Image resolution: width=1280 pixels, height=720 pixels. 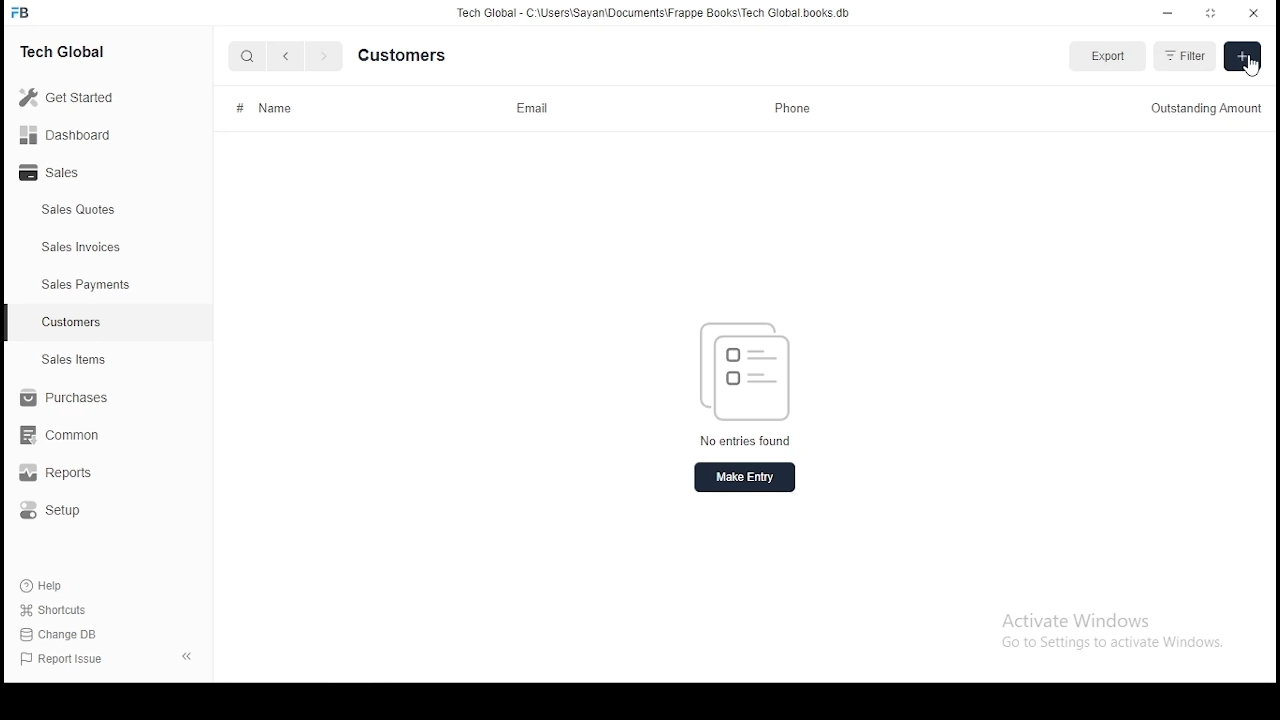 I want to click on setup, so click(x=58, y=513).